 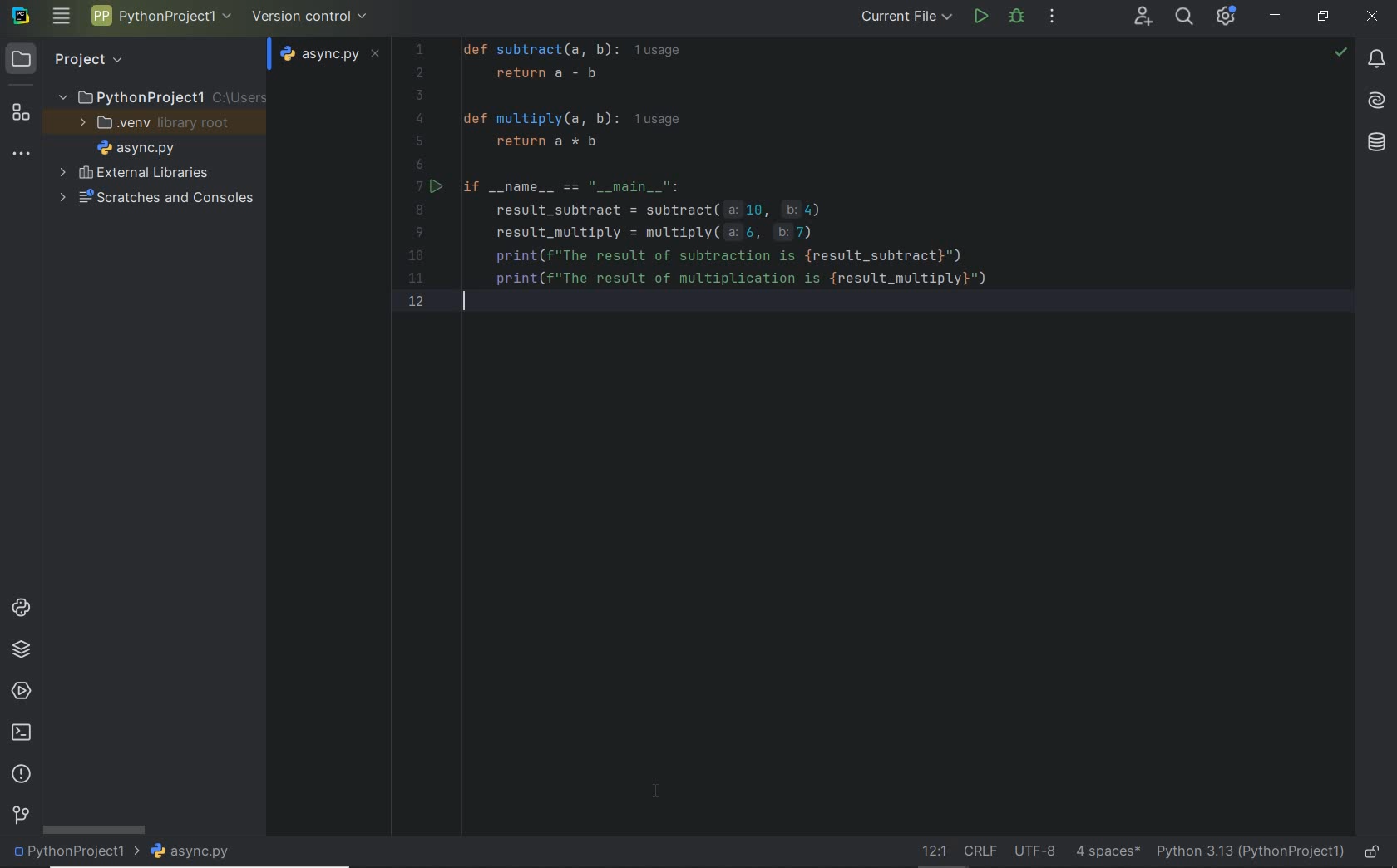 What do you see at coordinates (152, 125) in the screenshot?
I see `.veny` at bounding box center [152, 125].